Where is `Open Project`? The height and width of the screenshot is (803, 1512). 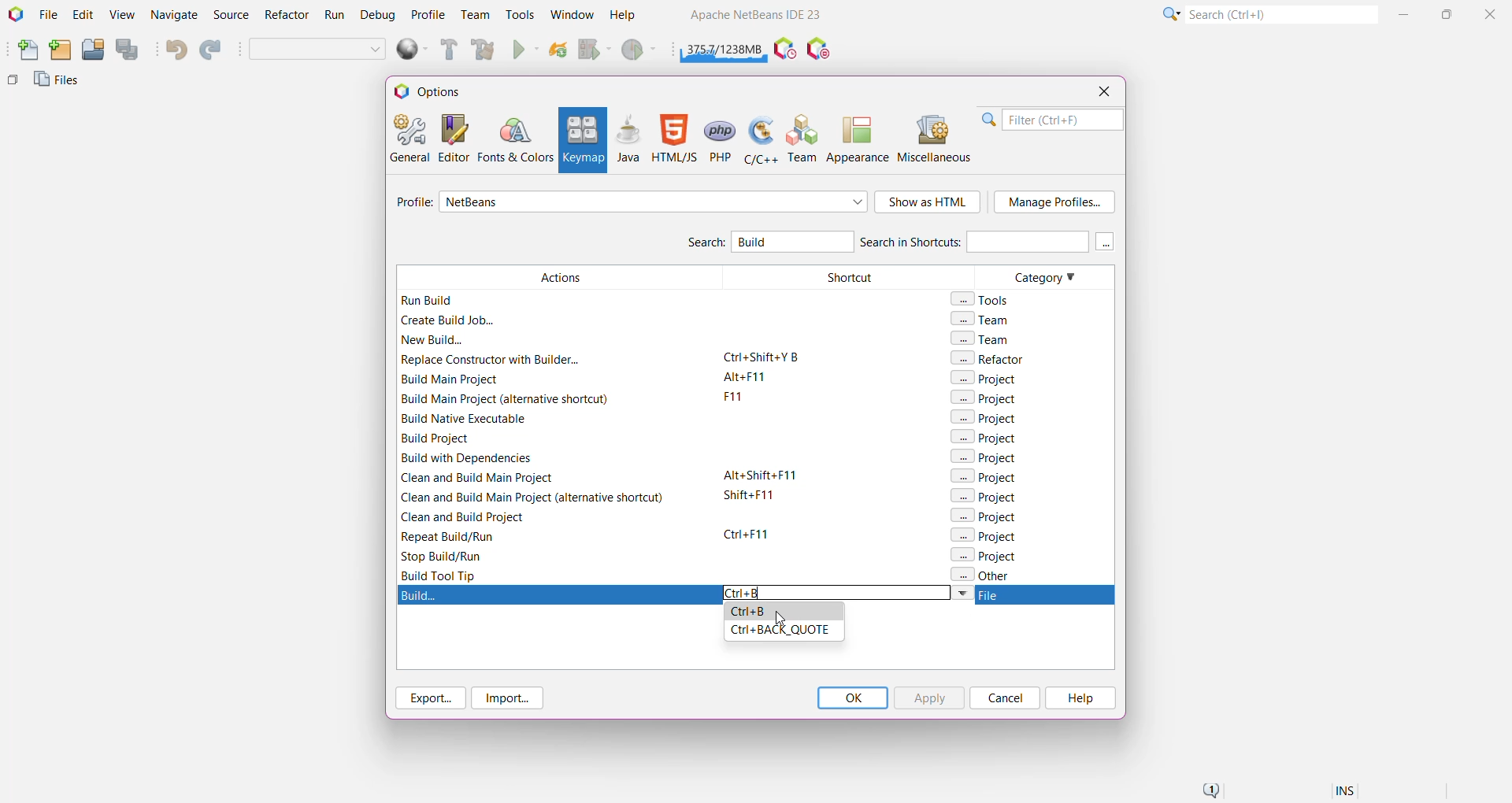
Open Project is located at coordinates (92, 50).